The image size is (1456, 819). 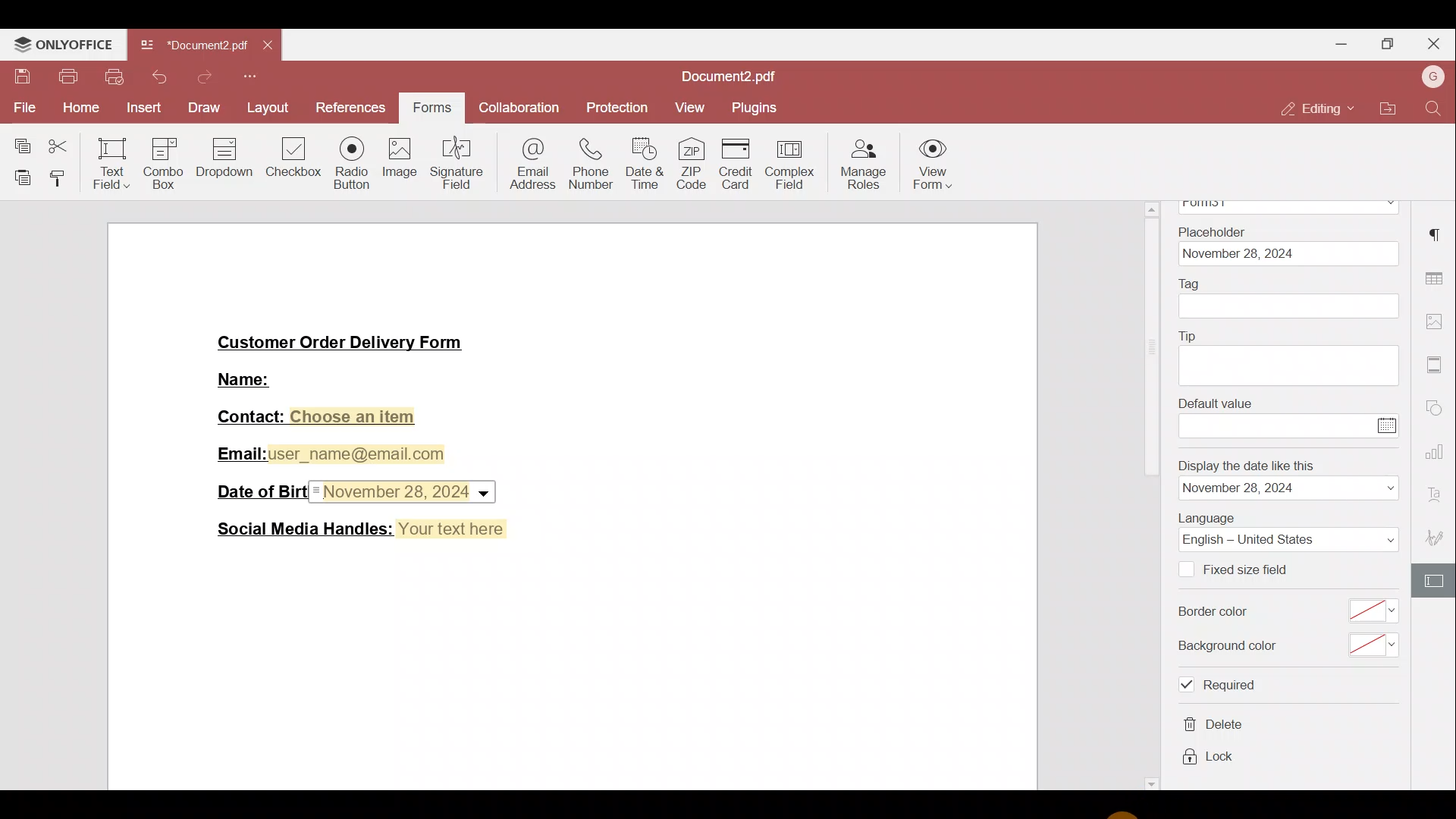 I want to click on Combo box, so click(x=162, y=161).